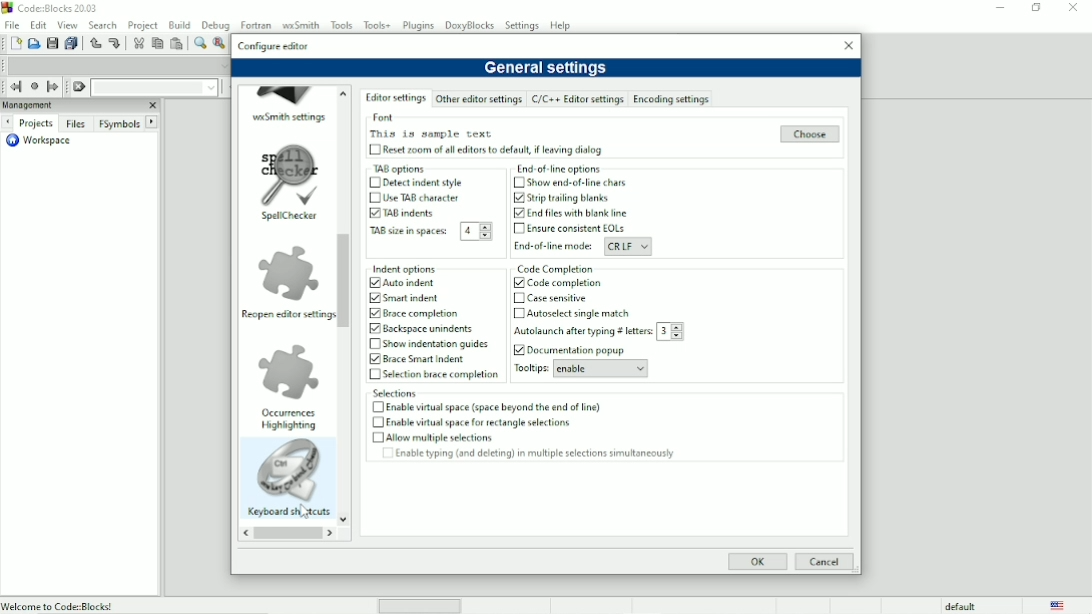 The image size is (1092, 614). Describe the element at coordinates (7, 123) in the screenshot. I see `Next` at that location.